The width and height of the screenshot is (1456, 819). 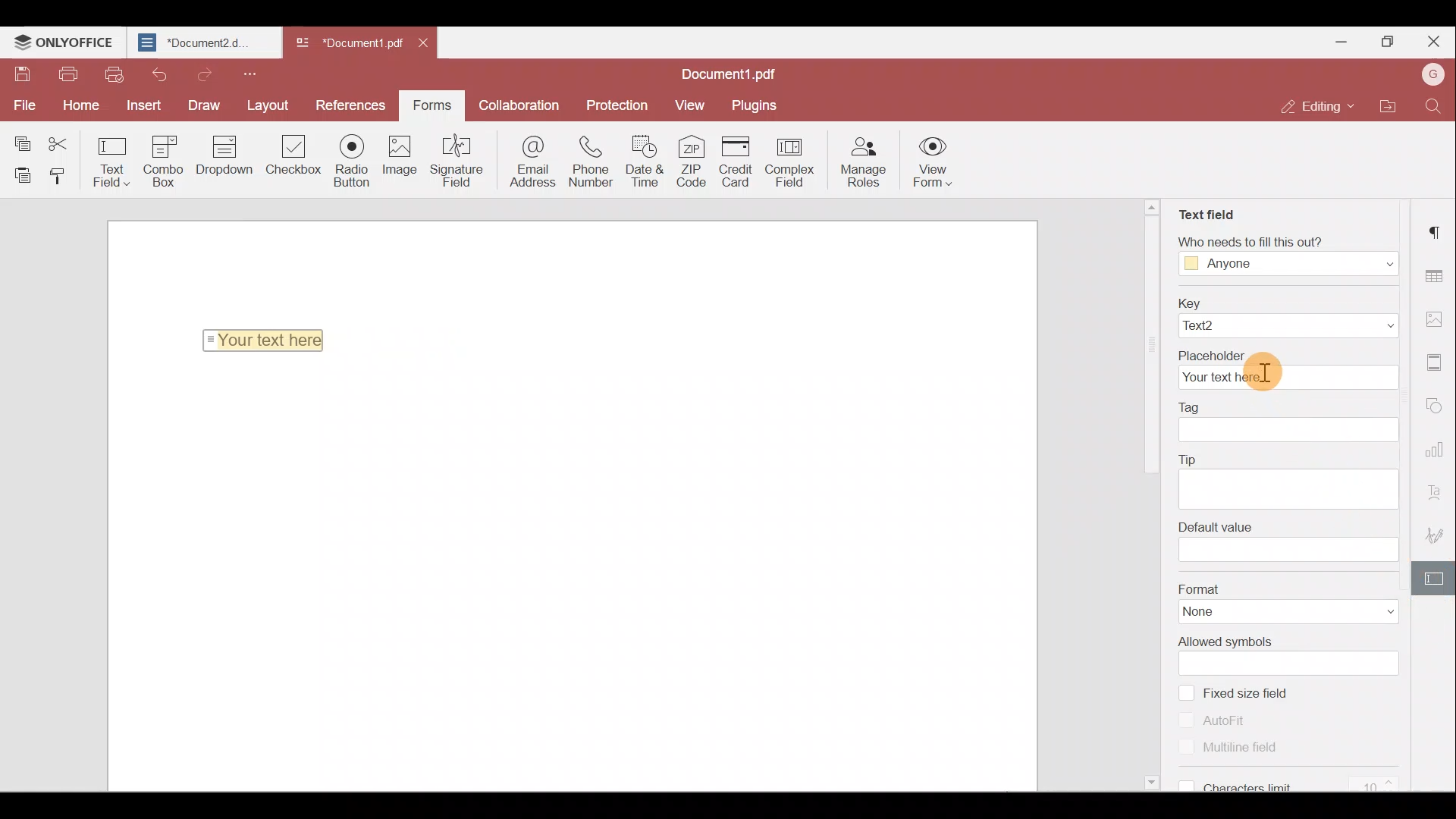 What do you see at coordinates (1287, 353) in the screenshot?
I see `Placeholder` at bounding box center [1287, 353].